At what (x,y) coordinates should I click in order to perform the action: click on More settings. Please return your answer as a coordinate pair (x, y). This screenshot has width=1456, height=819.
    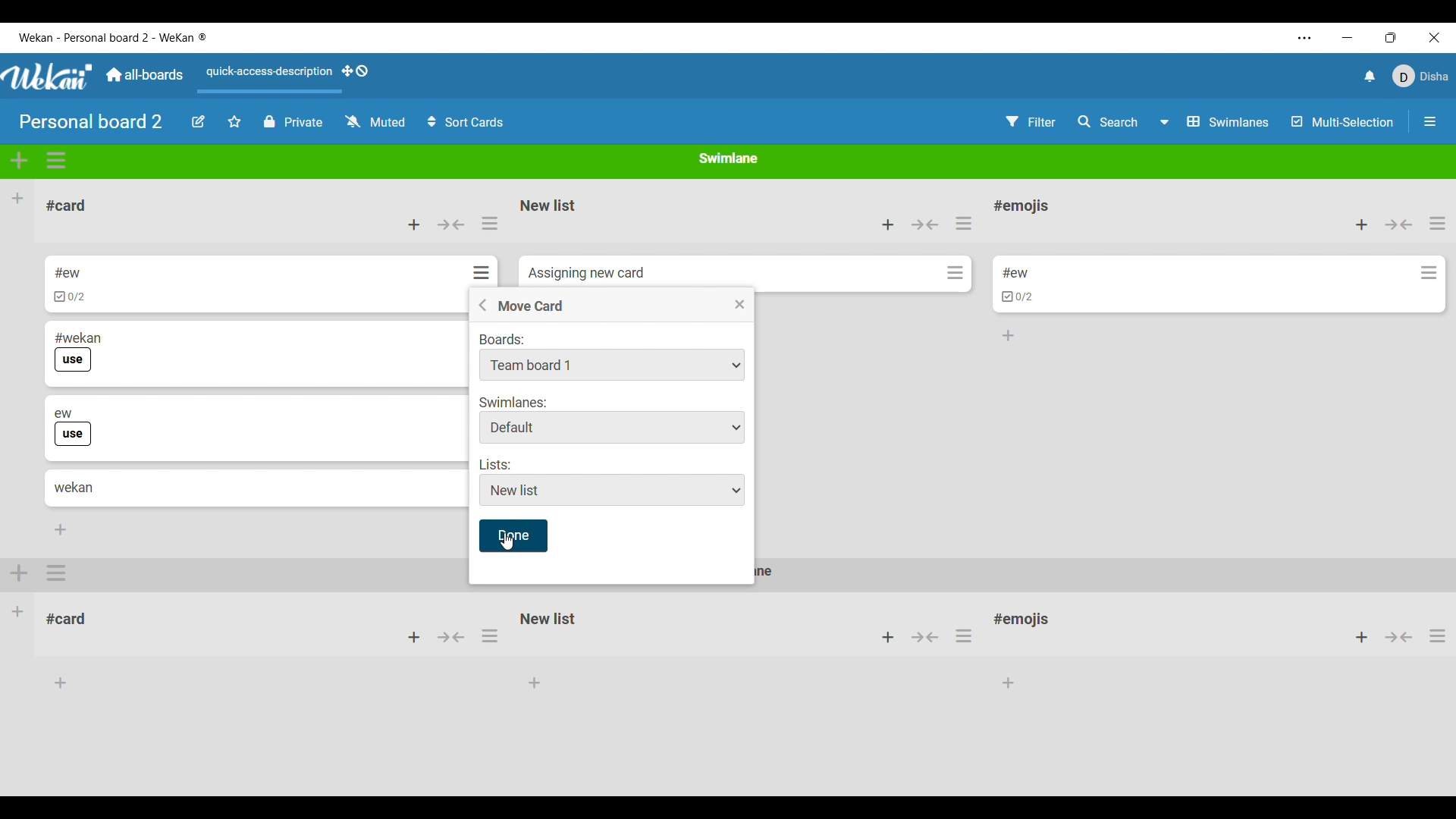
    Looking at the image, I should click on (1305, 38).